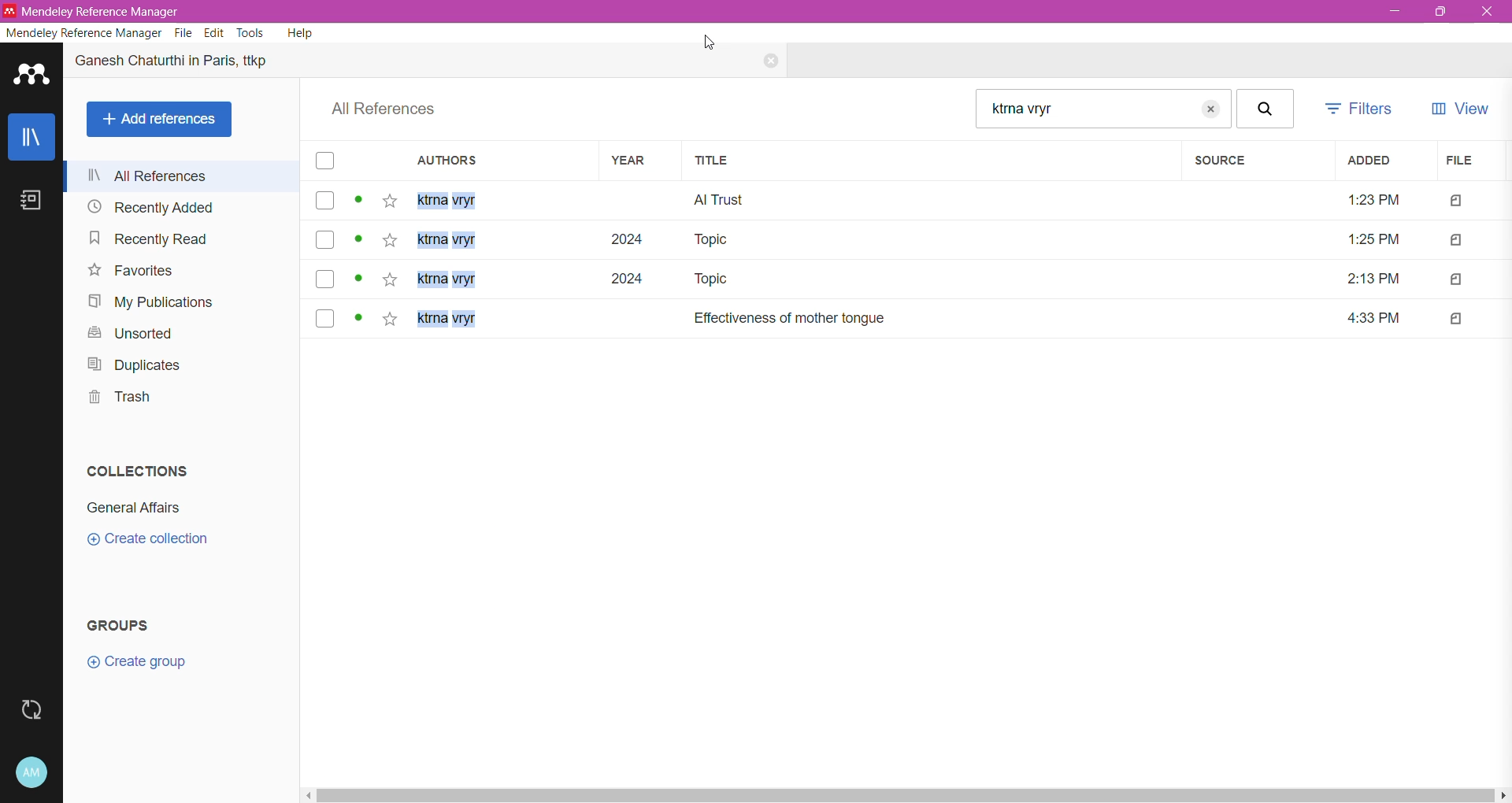 This screenshot has height=803, width=1512. I want to click on » Mendeley Reference Manager, so click(99, 10).